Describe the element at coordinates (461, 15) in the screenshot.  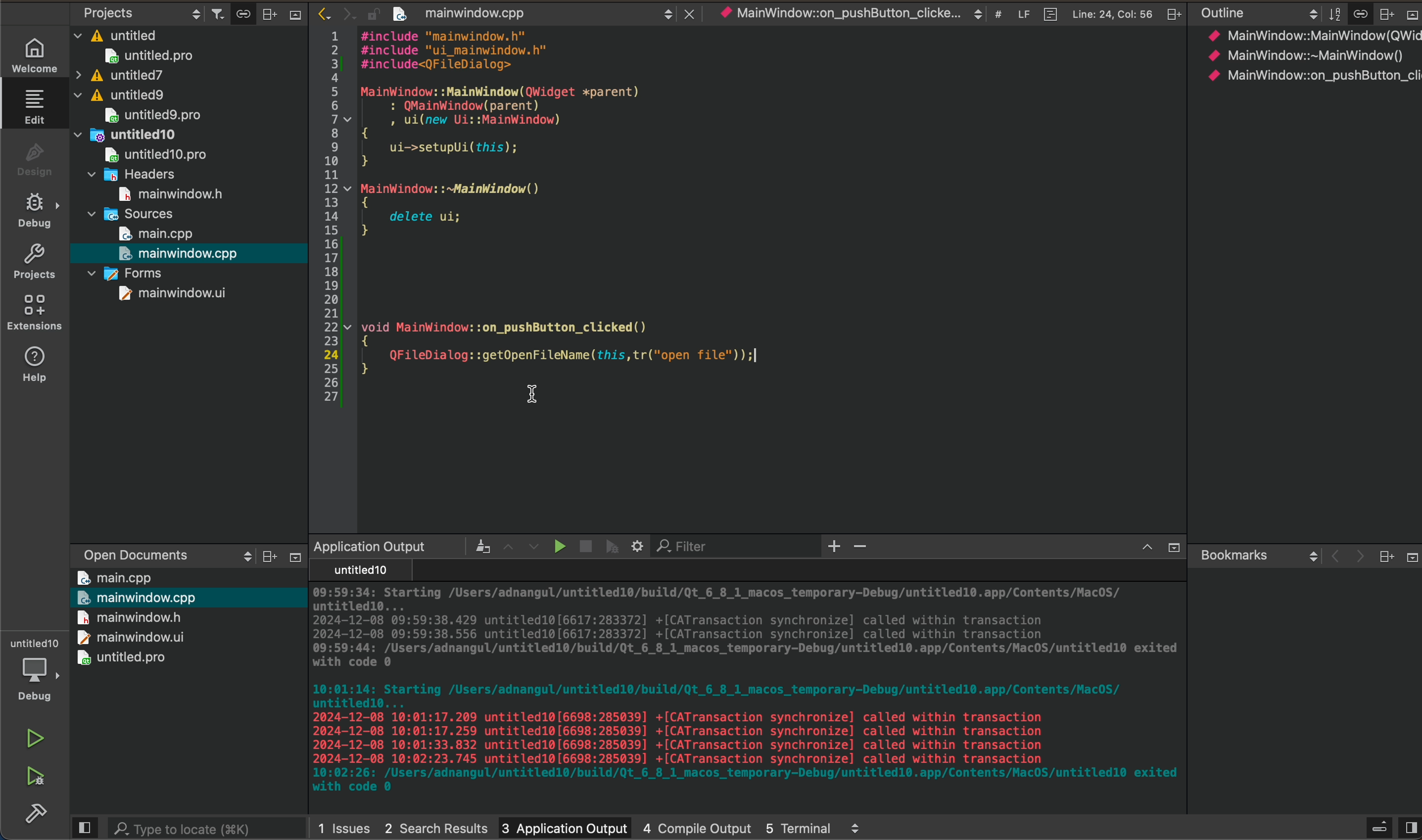
I see `mainwindow.cpp` at that location.